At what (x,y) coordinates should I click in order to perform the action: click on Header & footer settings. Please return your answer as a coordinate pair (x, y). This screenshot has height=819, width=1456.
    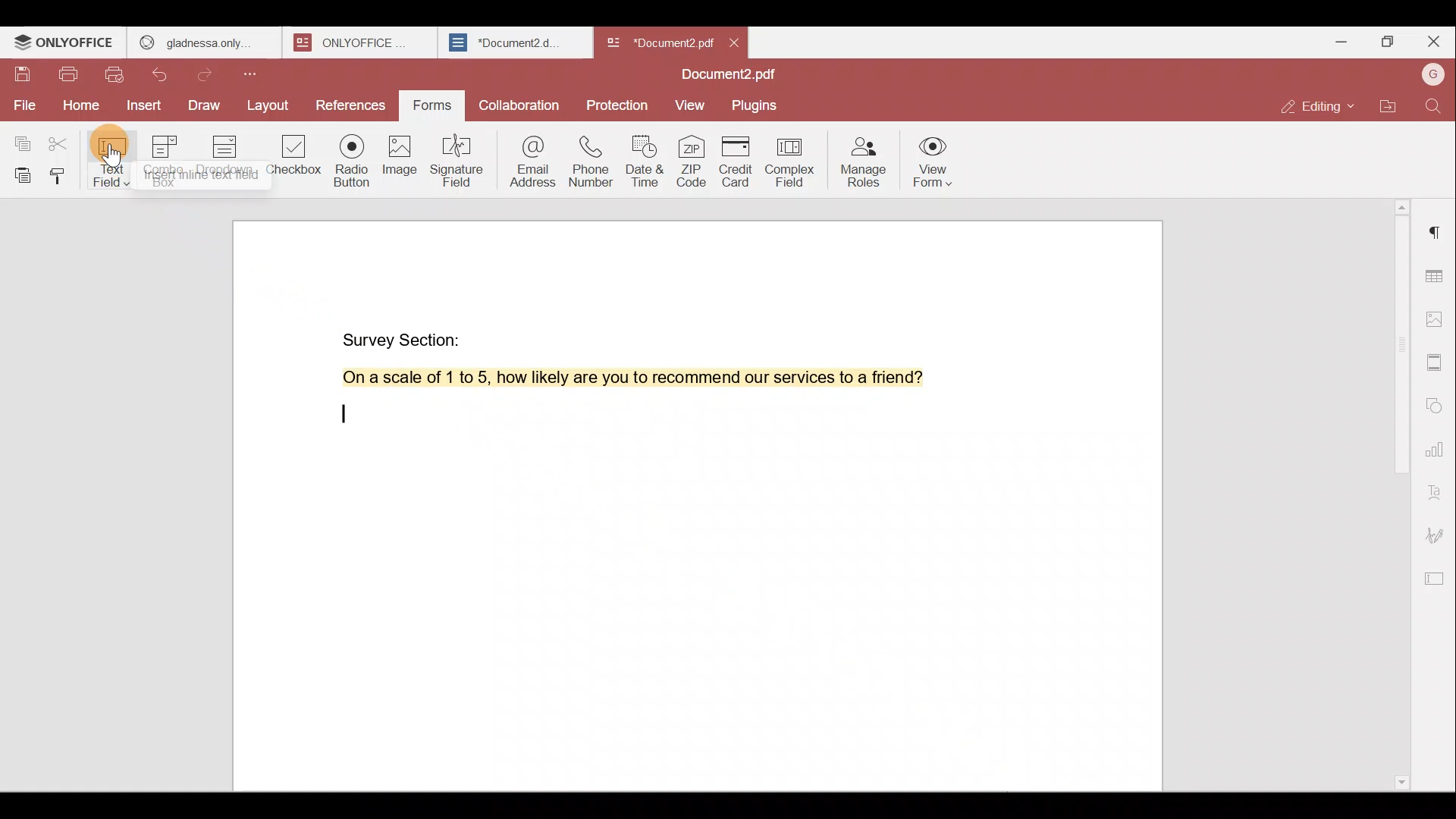
    Looking at the image, I should click on (1438, 361).